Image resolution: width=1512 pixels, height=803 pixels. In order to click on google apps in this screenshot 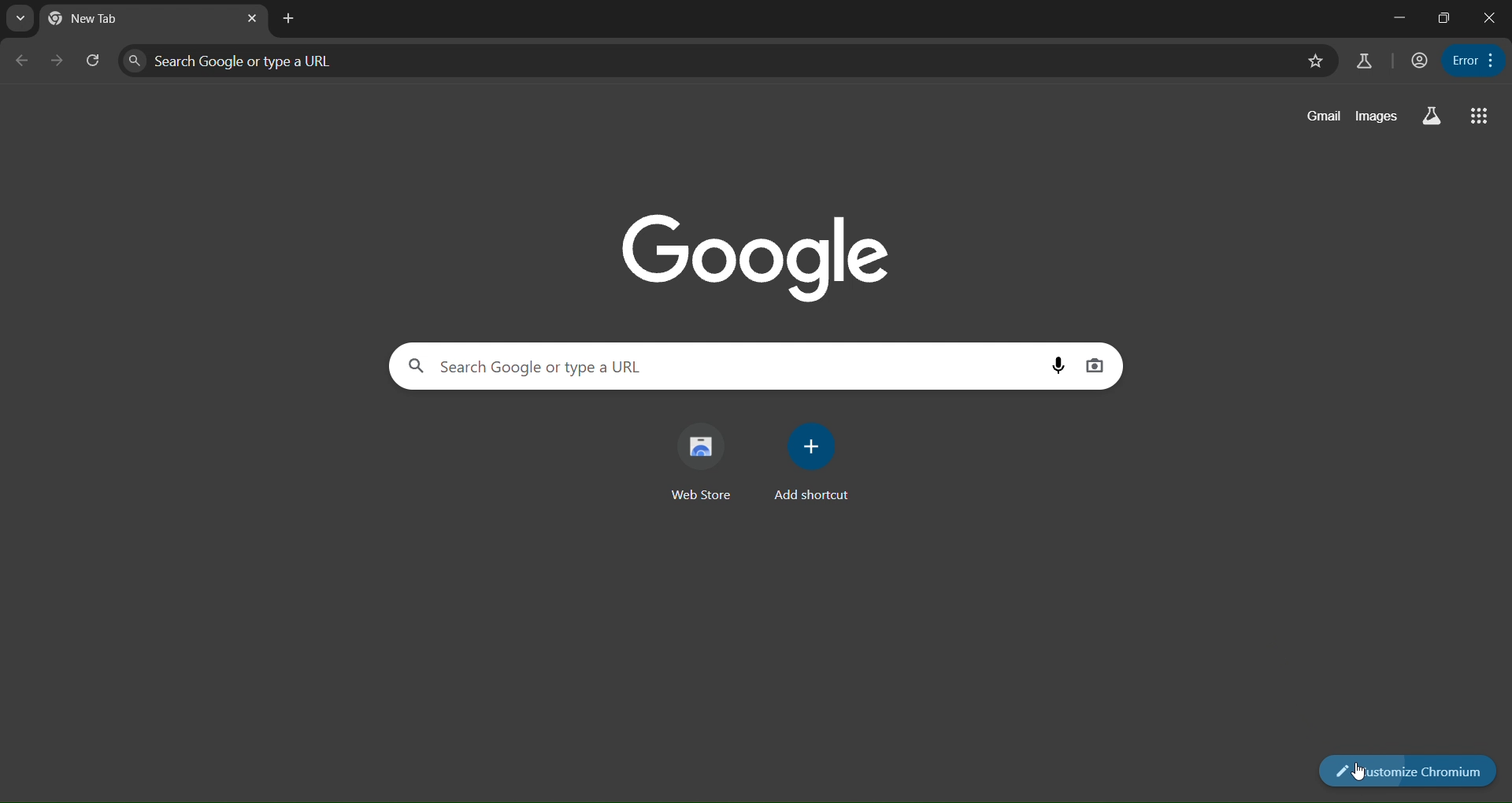, I will do `click(1479, 115)`.